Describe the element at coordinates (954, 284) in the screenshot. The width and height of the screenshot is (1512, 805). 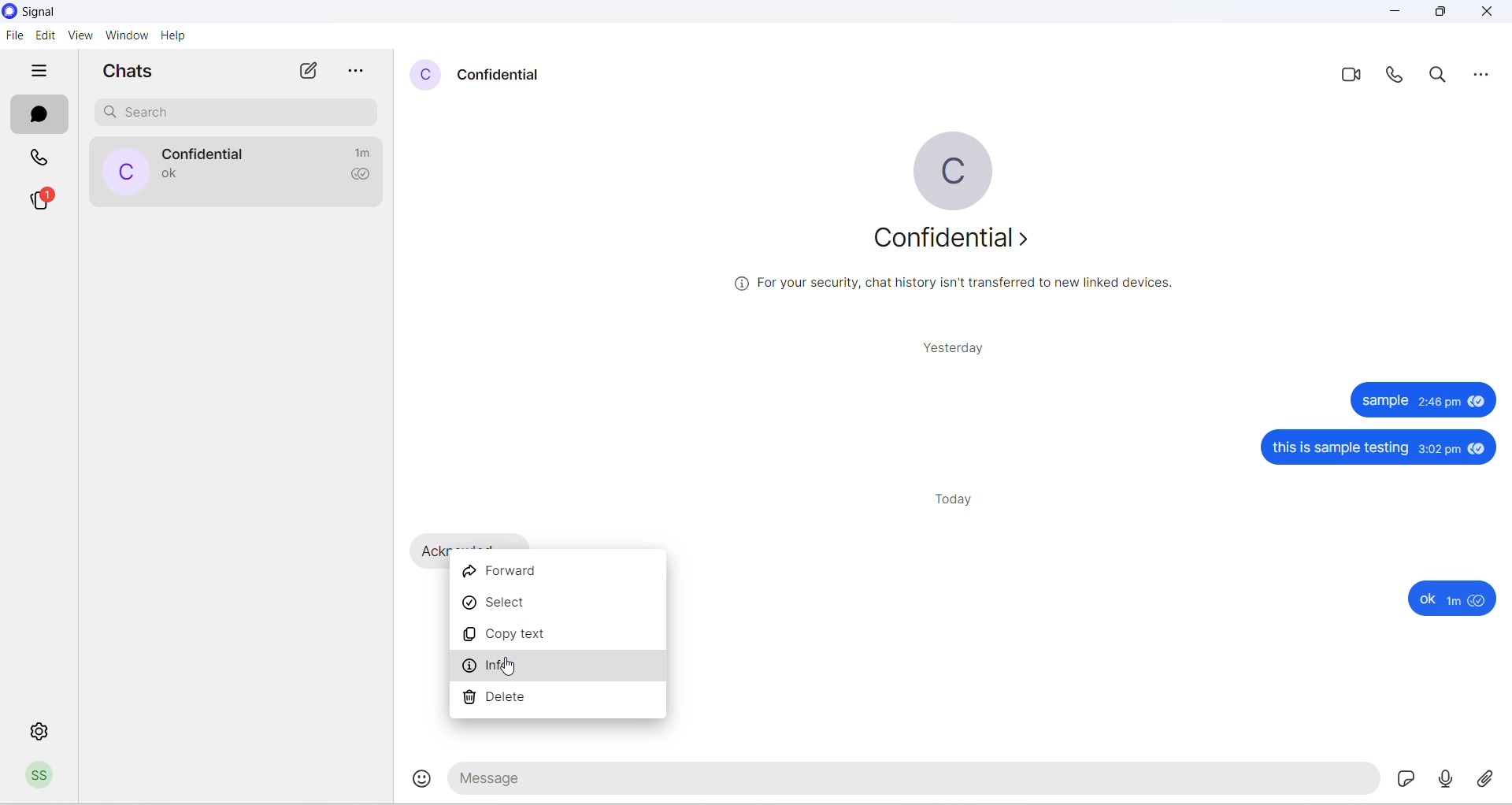
I see `security related text` at that location.